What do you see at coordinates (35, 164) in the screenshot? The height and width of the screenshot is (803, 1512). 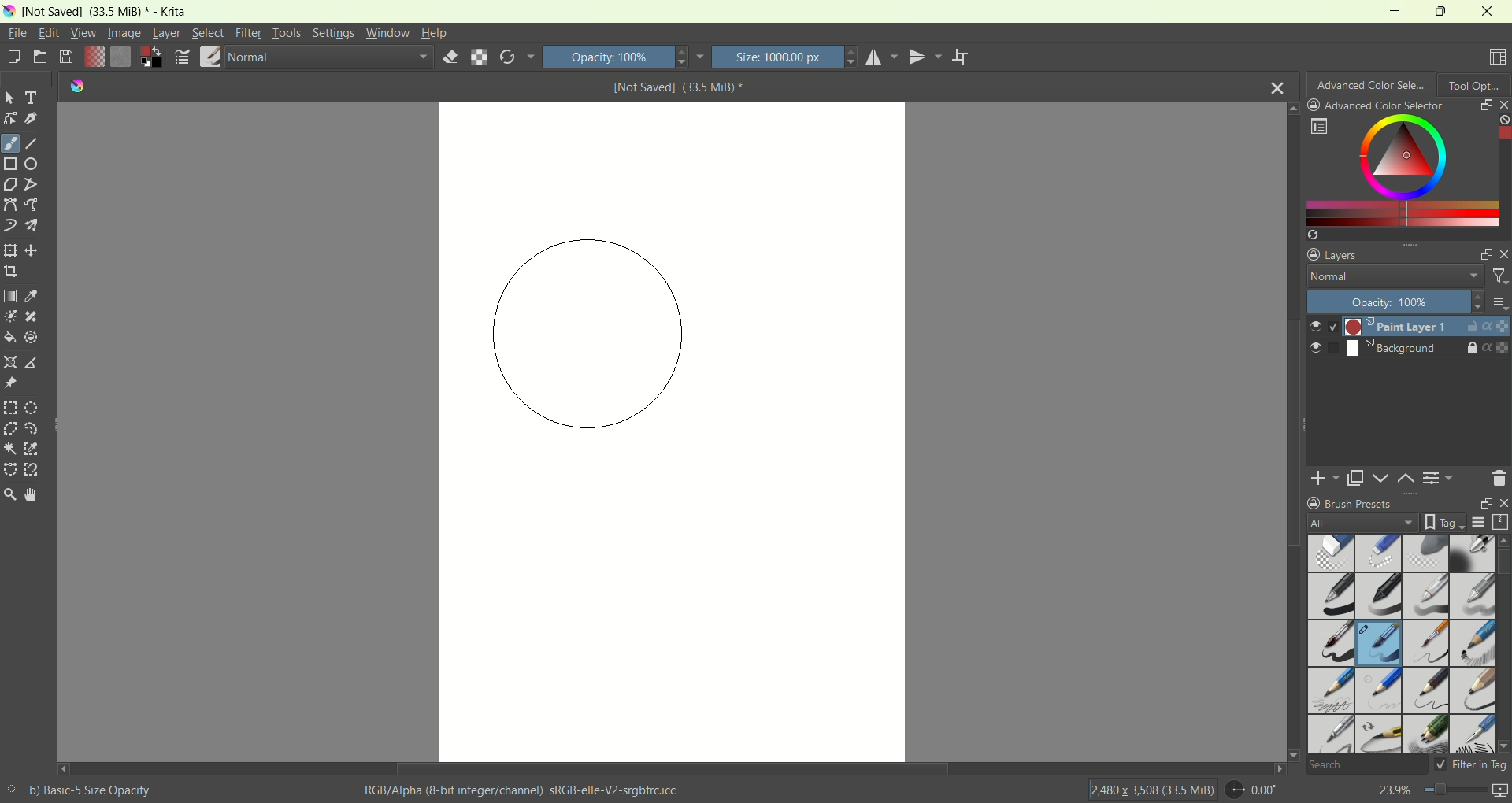 I see `ellipse` at bounding box center [35, 164].